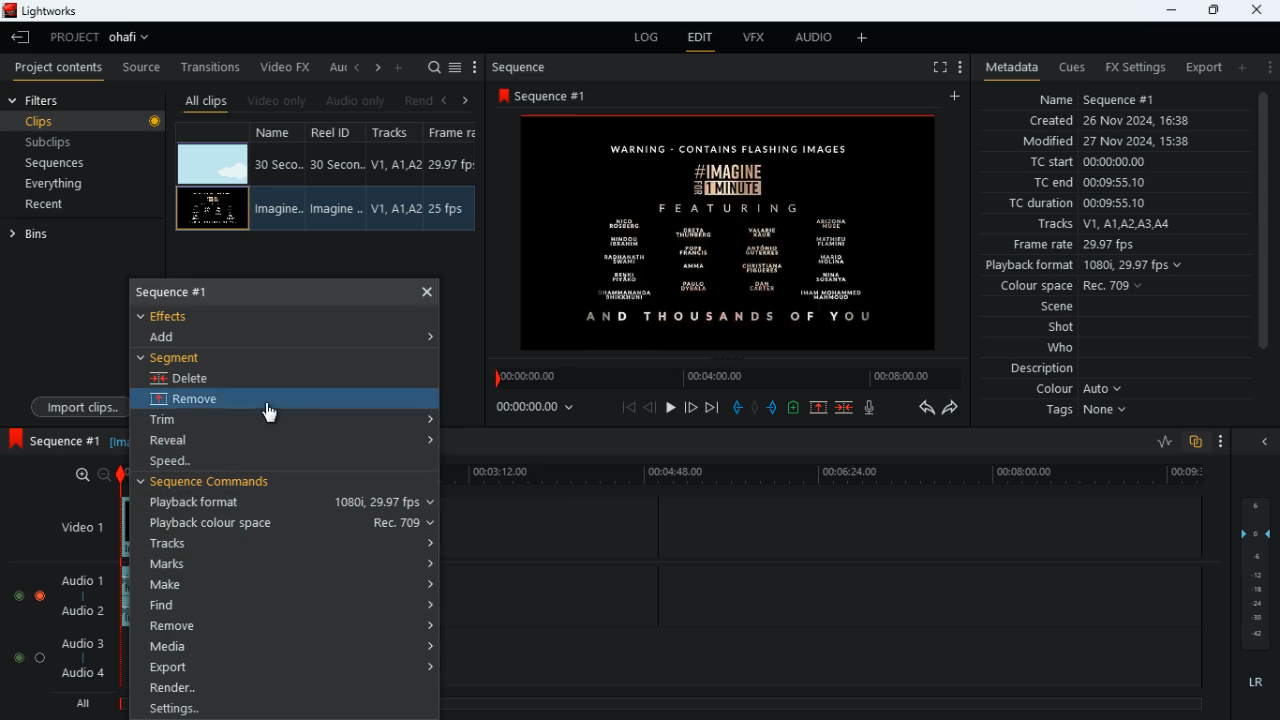 The width and height of the screenshot is (1280, 720). What do you see at coordinates (85, 474) in the screenshot?
I see `zoom` at bounding box center [85, 474].